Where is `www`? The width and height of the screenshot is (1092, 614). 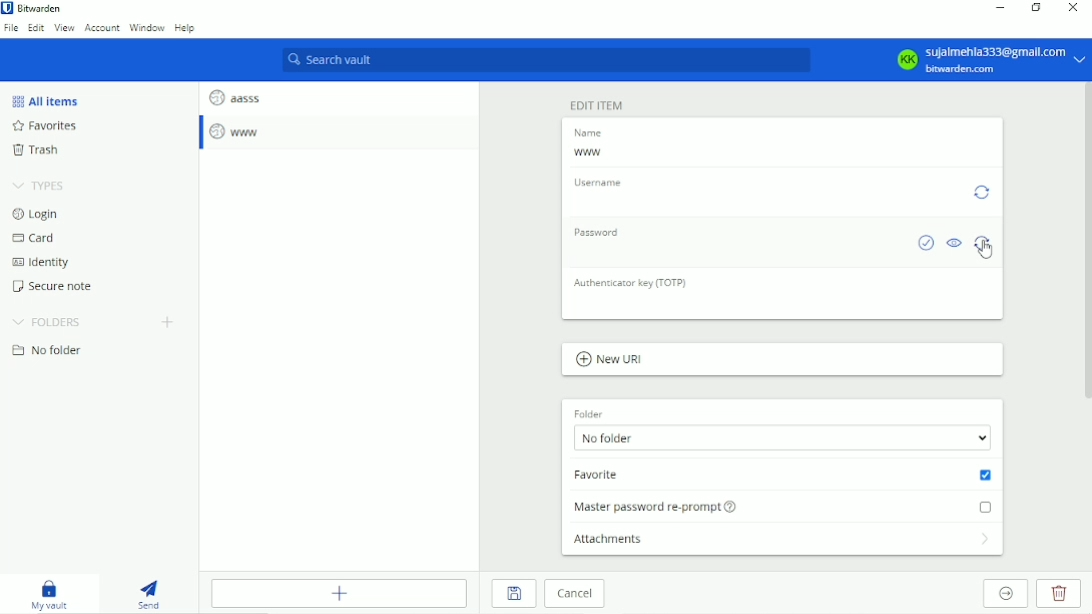 www is located at coordinates (589, 153).